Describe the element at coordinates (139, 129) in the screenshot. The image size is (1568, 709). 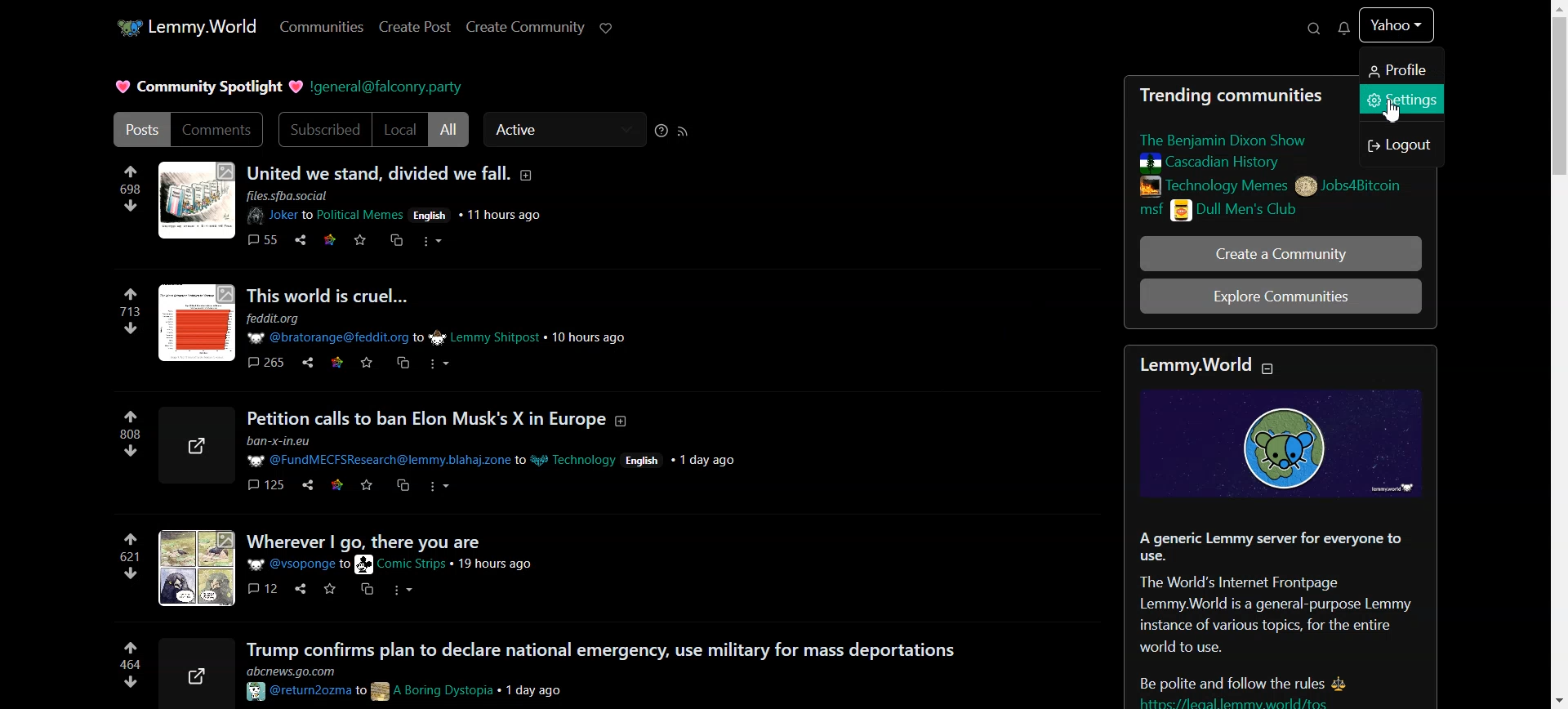
I see `Posts` at that location.